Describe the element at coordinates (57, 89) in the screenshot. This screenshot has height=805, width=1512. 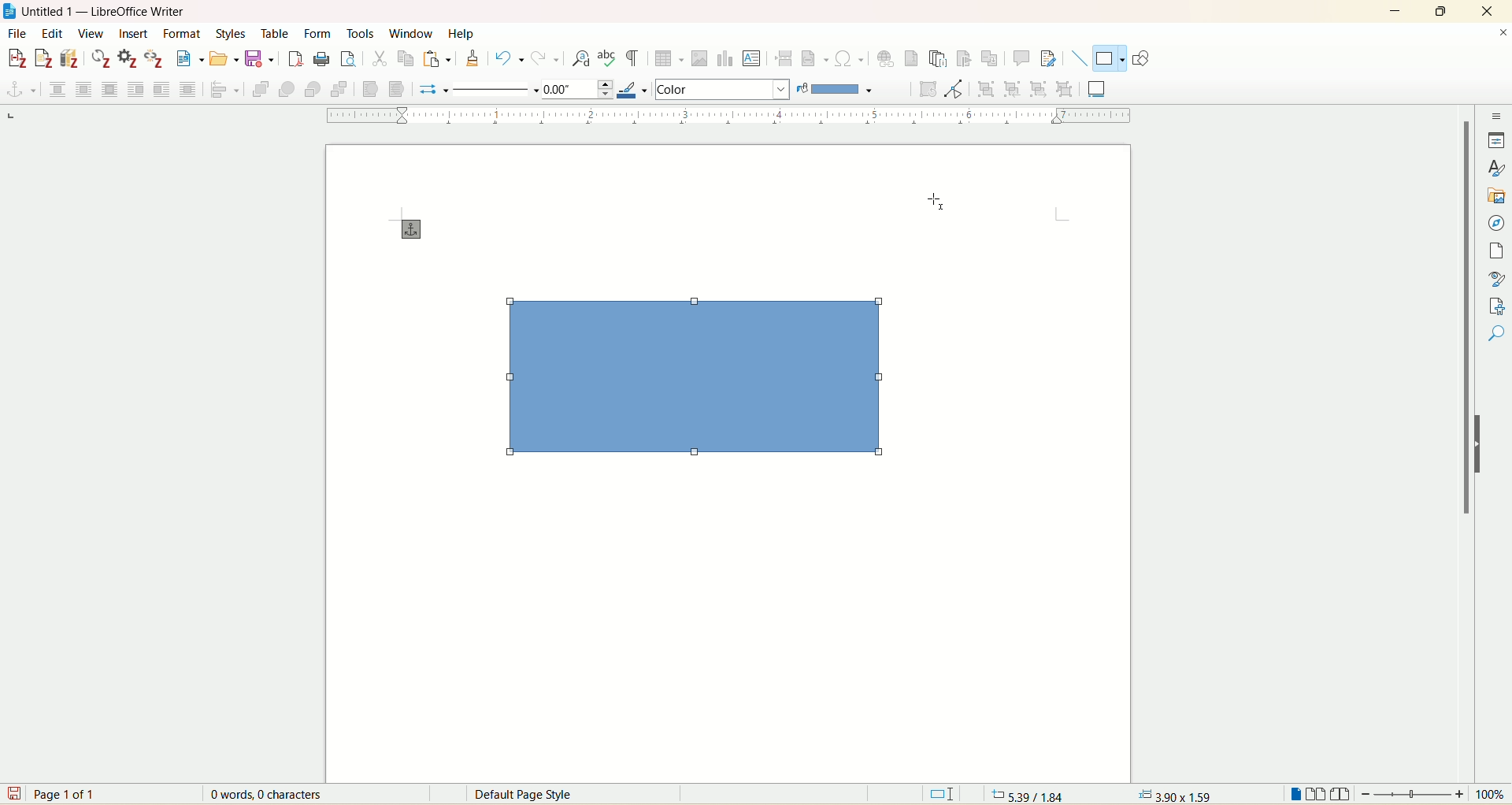
I see `none` at that location.